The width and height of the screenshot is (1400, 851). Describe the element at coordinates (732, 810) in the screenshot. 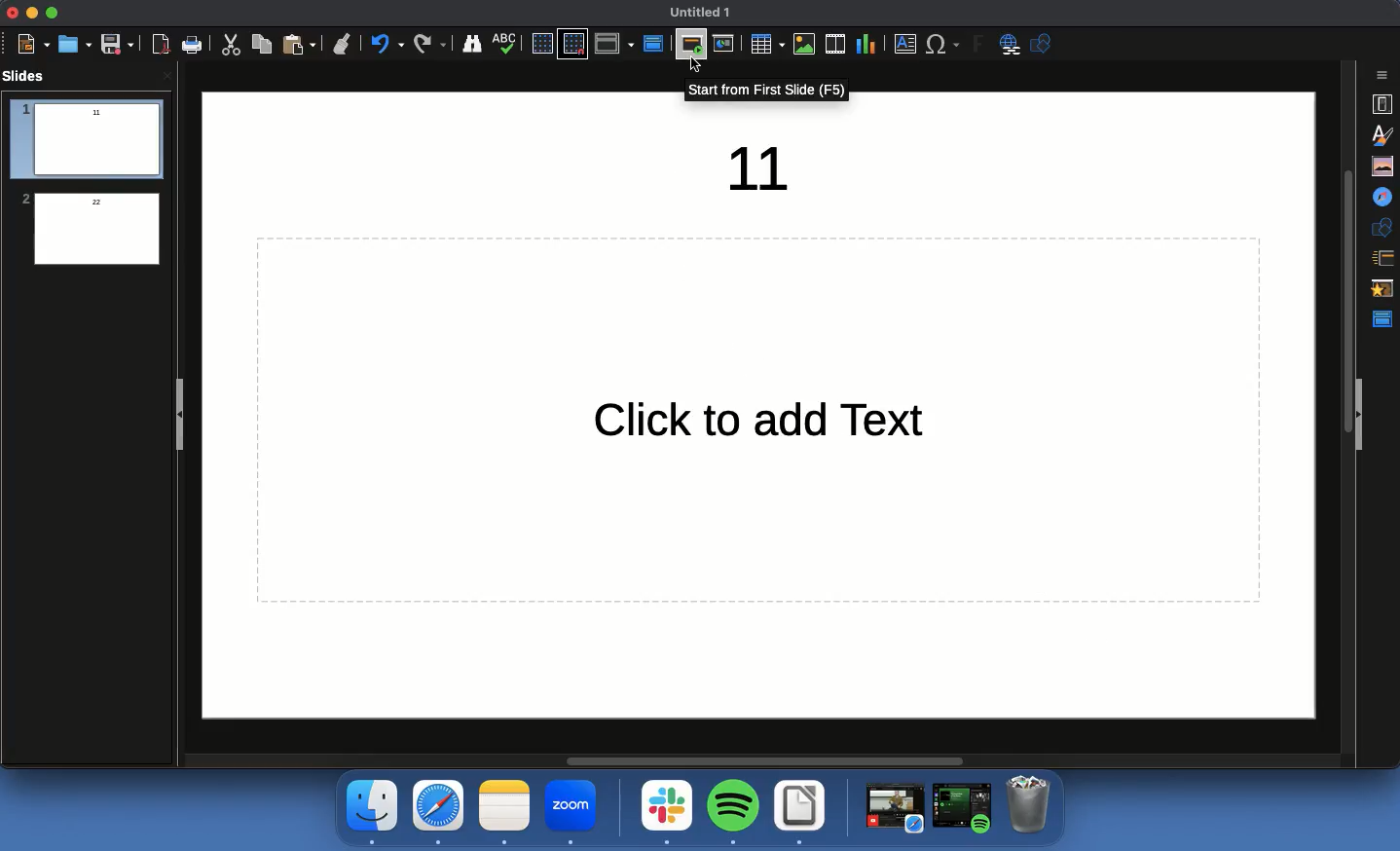

I see `Spotify` at that location.